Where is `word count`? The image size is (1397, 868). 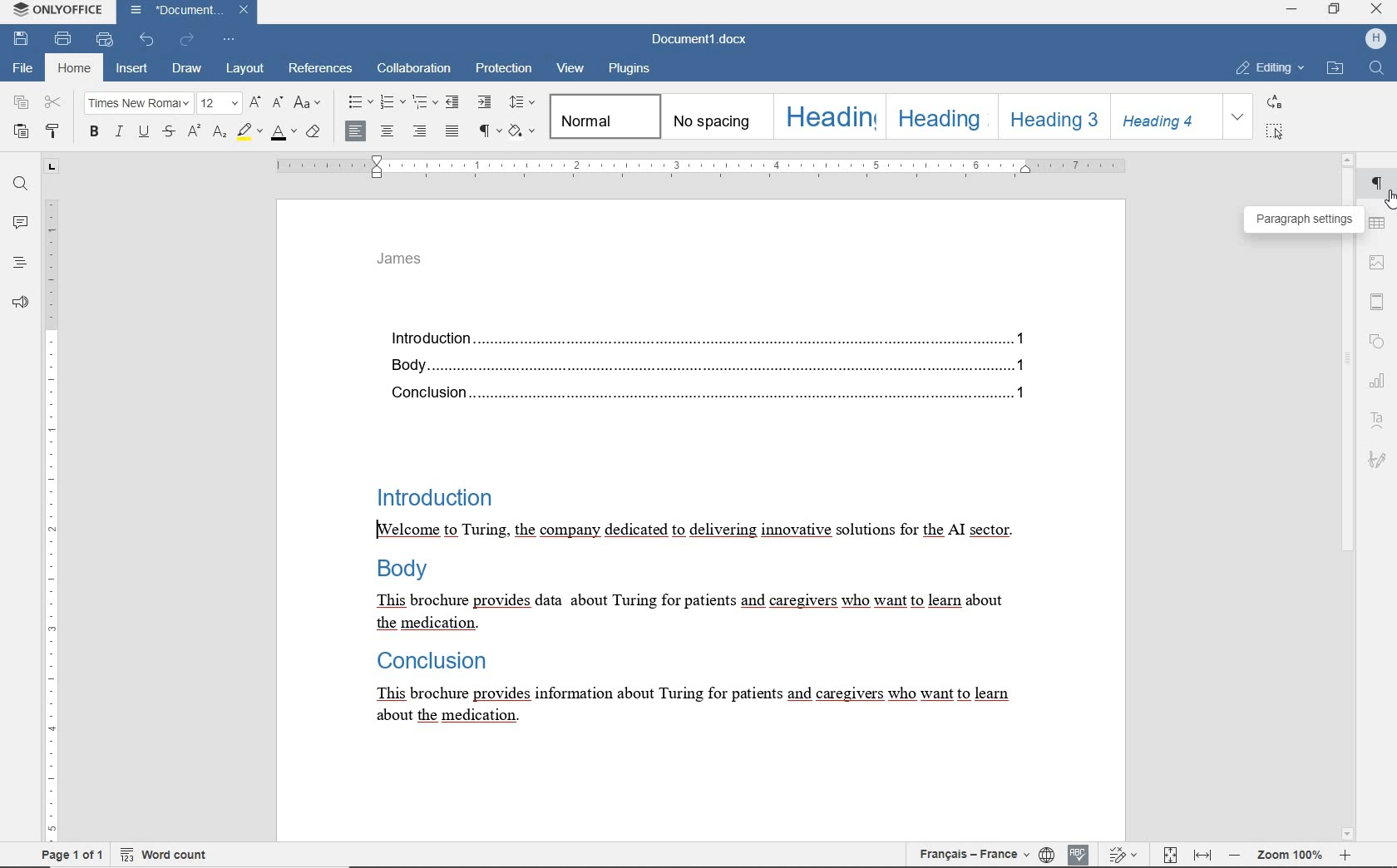 word count is located at coordinates (165, 855).